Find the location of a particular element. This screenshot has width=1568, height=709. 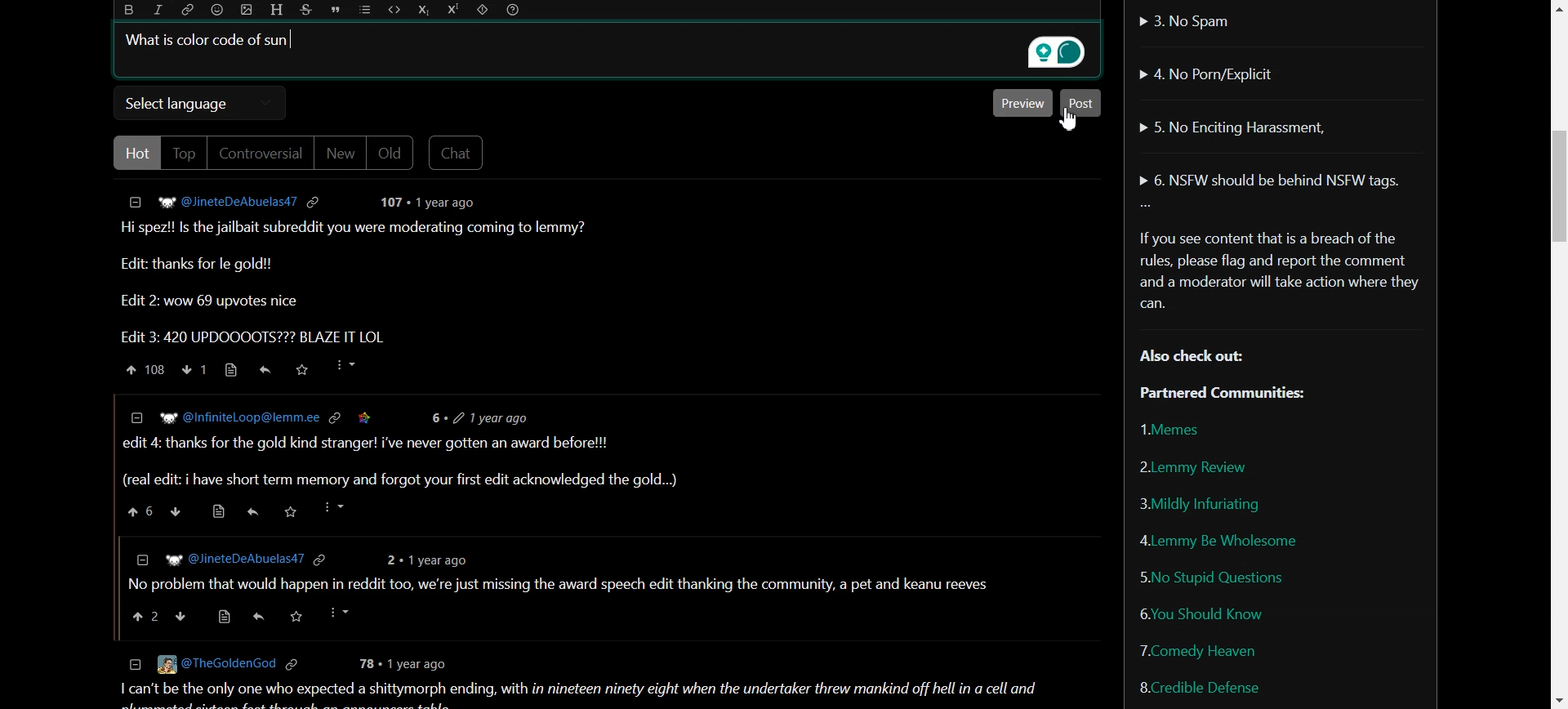

Subscript is located at coordinates (423, 10).